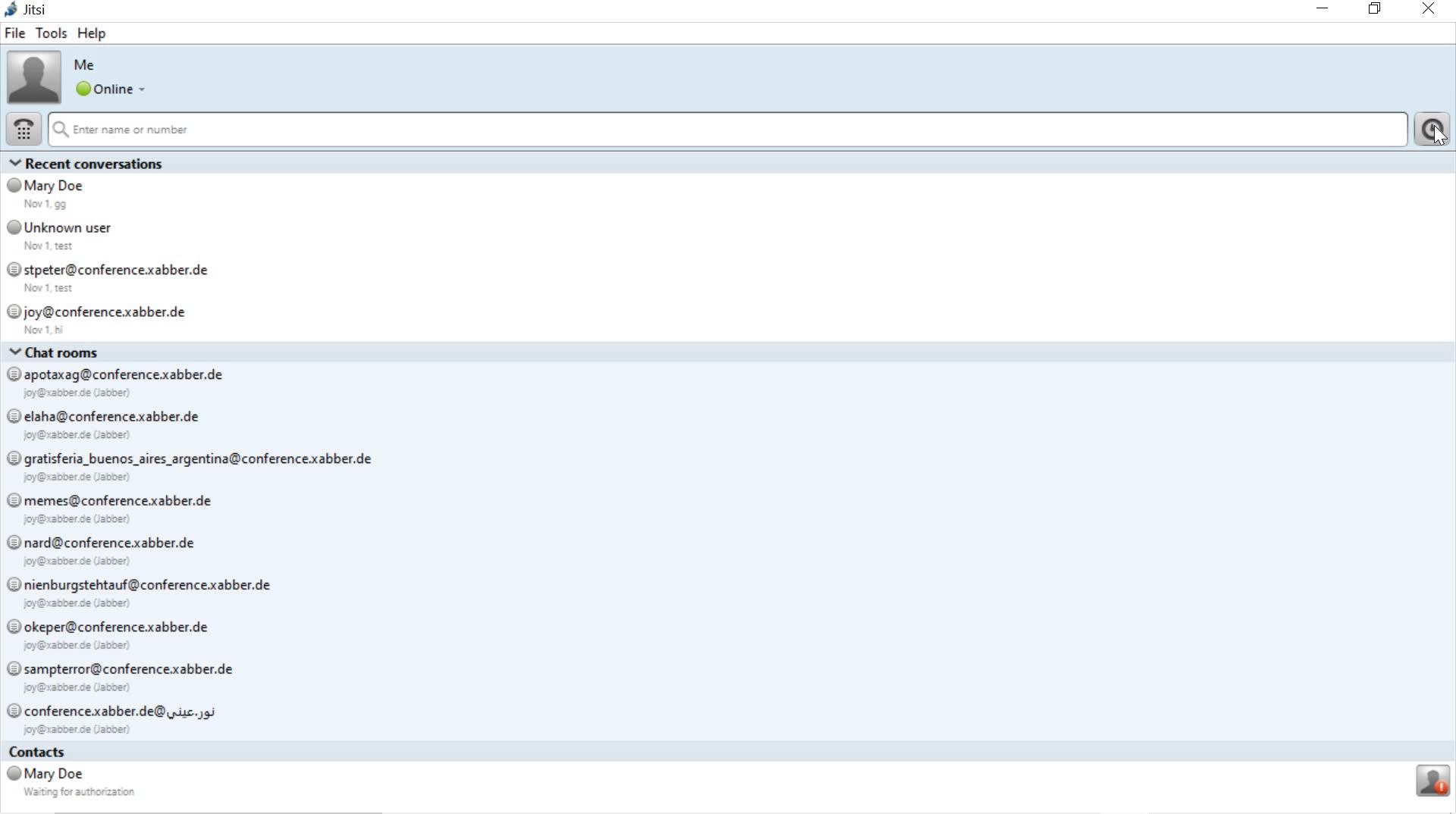 Image resolution: width=1456 pixels, height=814 pixels. What do you see at coordinates (1430, 10) in the screenshot?
I see `close` at bounding box center [1430, 10].